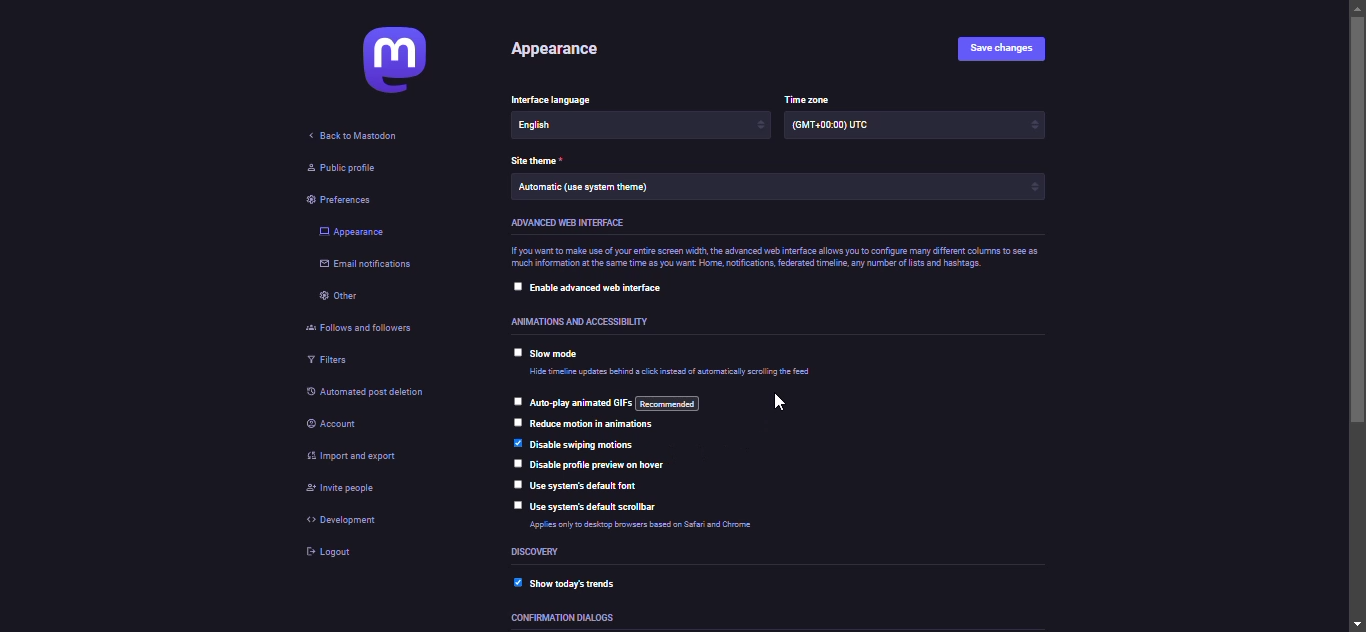 The width and height of the screenshot is (1366, 632). Describe the element at coordinates (349, 329) in the screenshot. I see `follows and followers` at that location.